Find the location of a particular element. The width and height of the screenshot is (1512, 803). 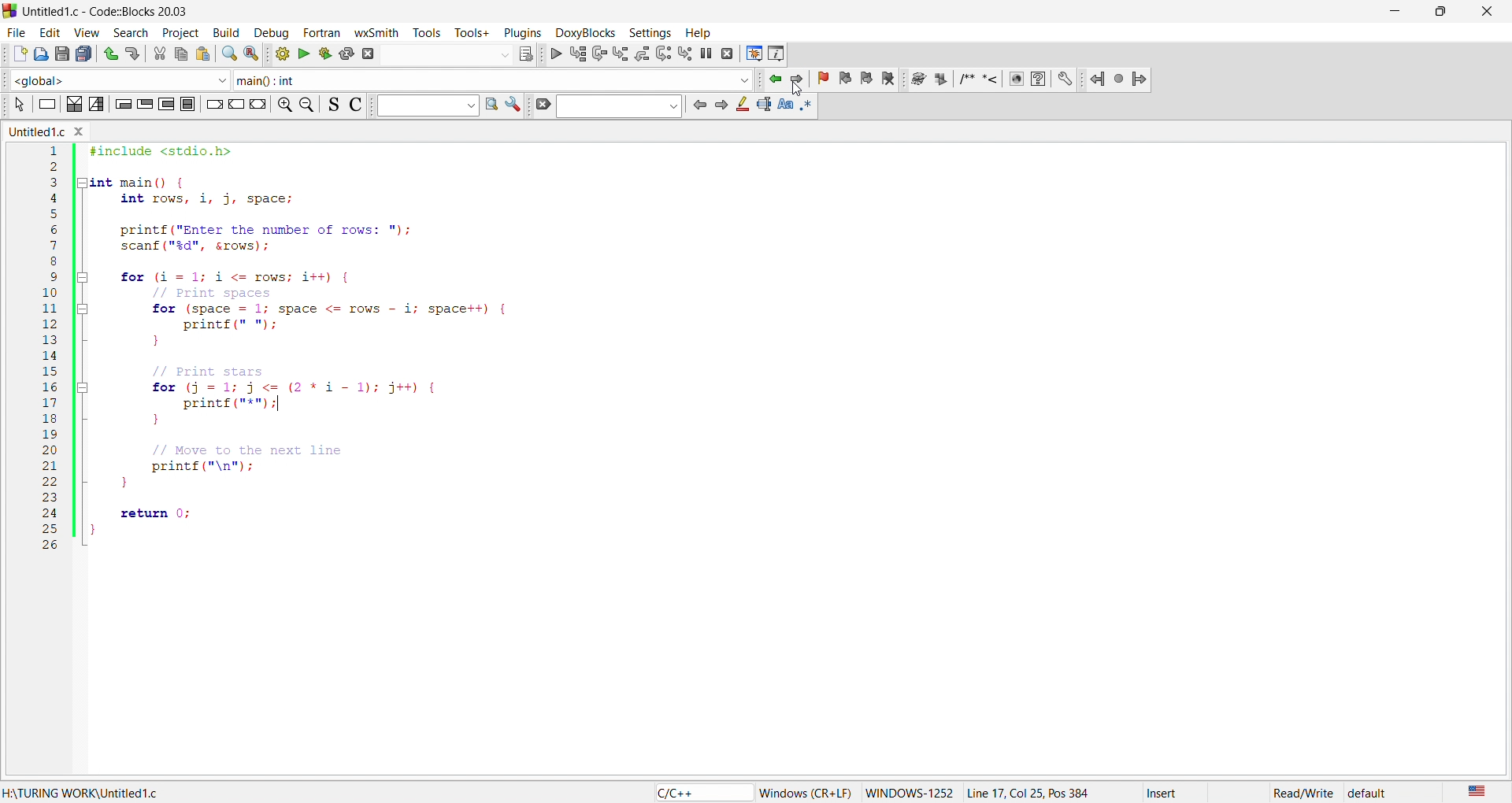

fortan is located at coordinates (320, 31).